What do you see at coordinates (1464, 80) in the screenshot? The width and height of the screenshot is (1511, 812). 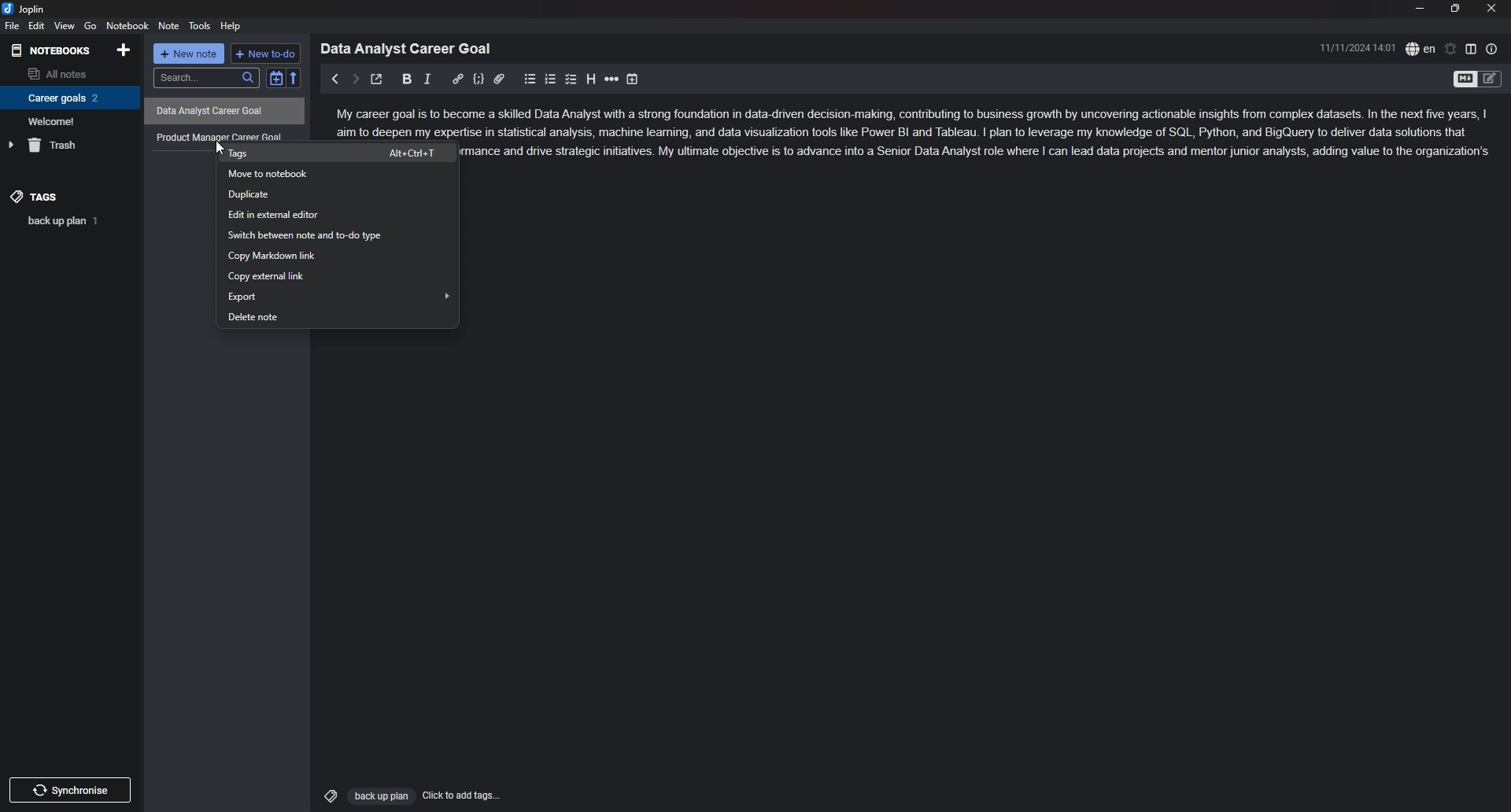 I see `toggle editor` at bounding box center [1464, 80].